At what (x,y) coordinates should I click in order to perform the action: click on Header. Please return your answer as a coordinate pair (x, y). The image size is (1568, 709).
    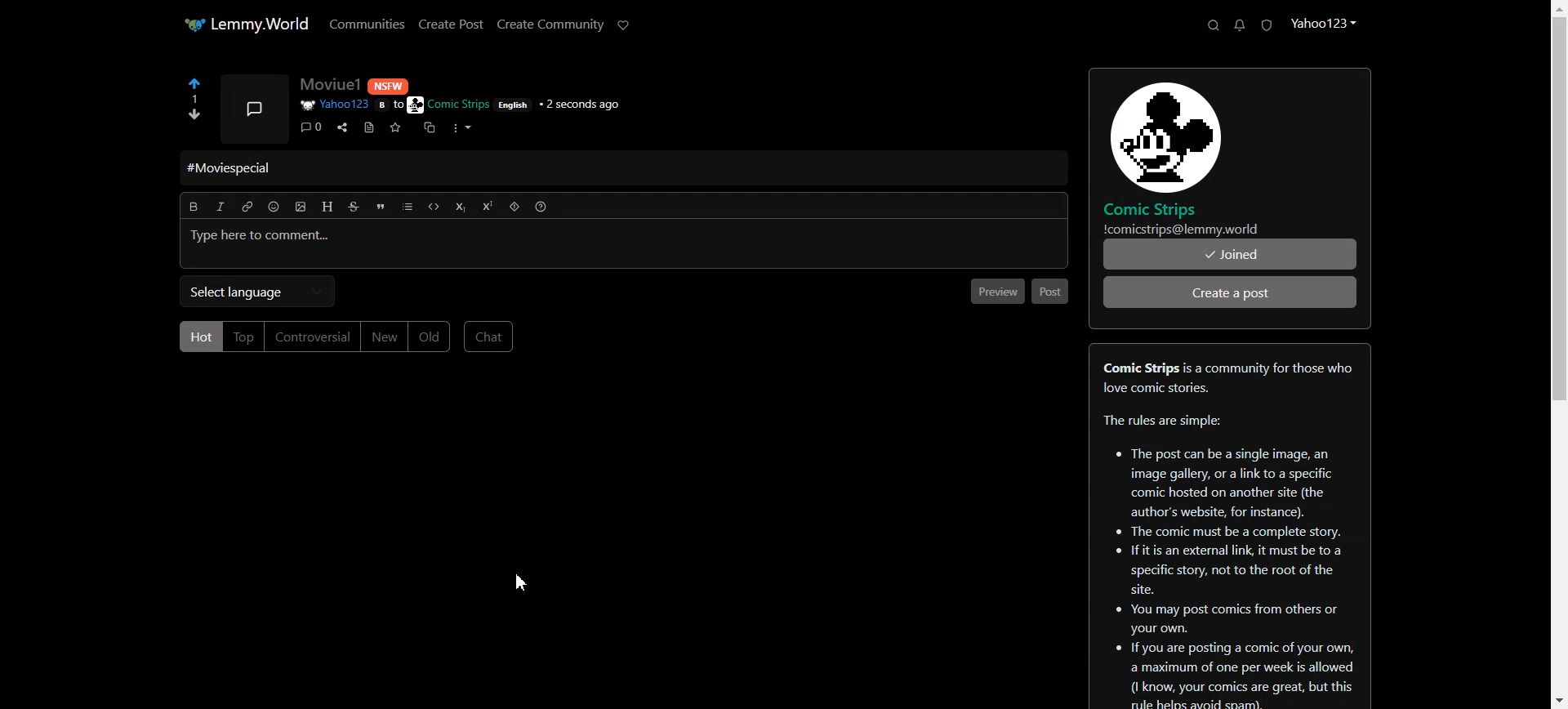
    Looking at the image, I should click on (326, 207).